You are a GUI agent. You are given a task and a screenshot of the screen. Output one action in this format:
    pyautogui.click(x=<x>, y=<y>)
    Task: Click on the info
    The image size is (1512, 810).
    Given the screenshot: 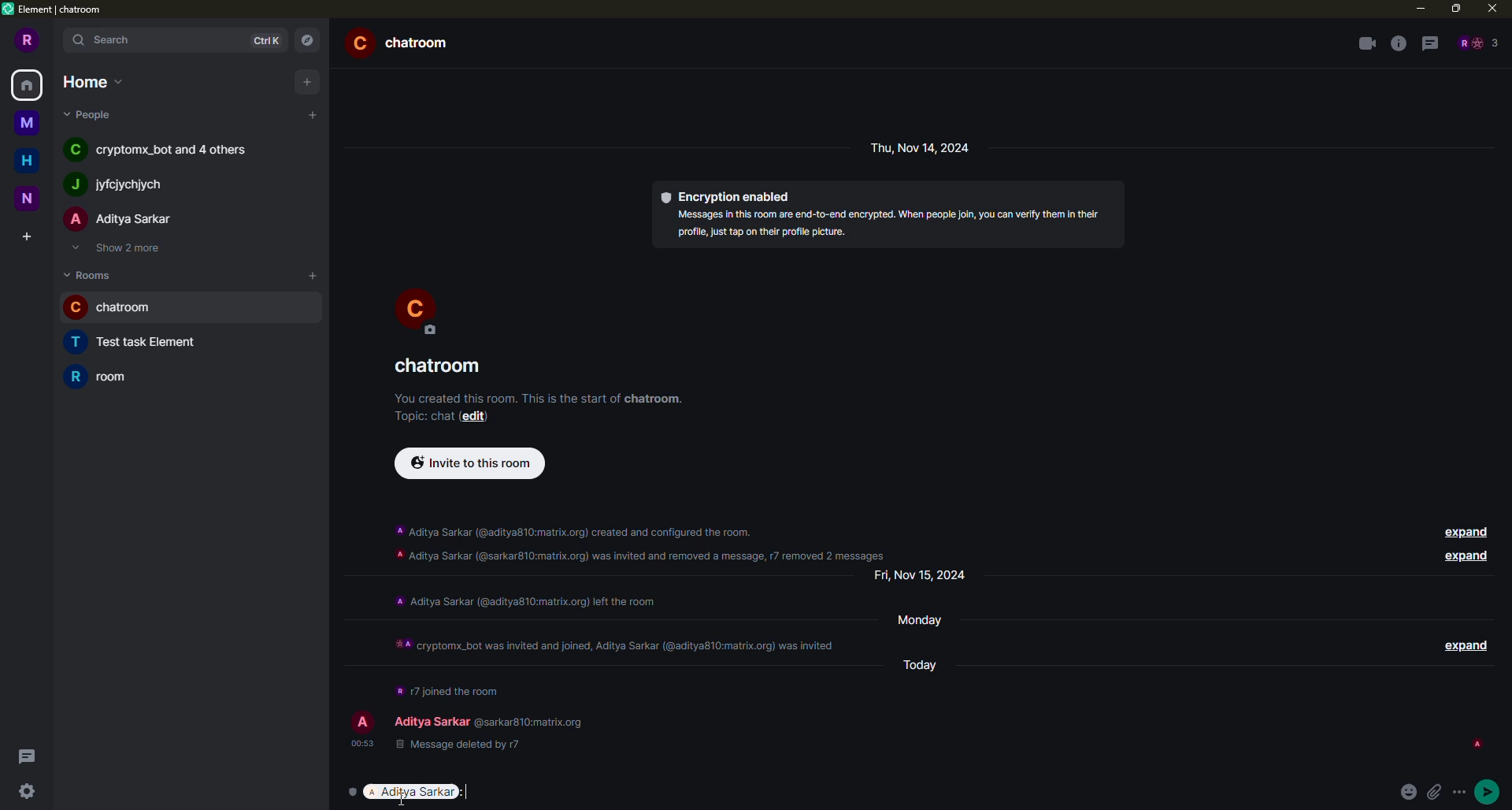 What is the action you would take?
    pyautogui.click(x=888, y=223)
    